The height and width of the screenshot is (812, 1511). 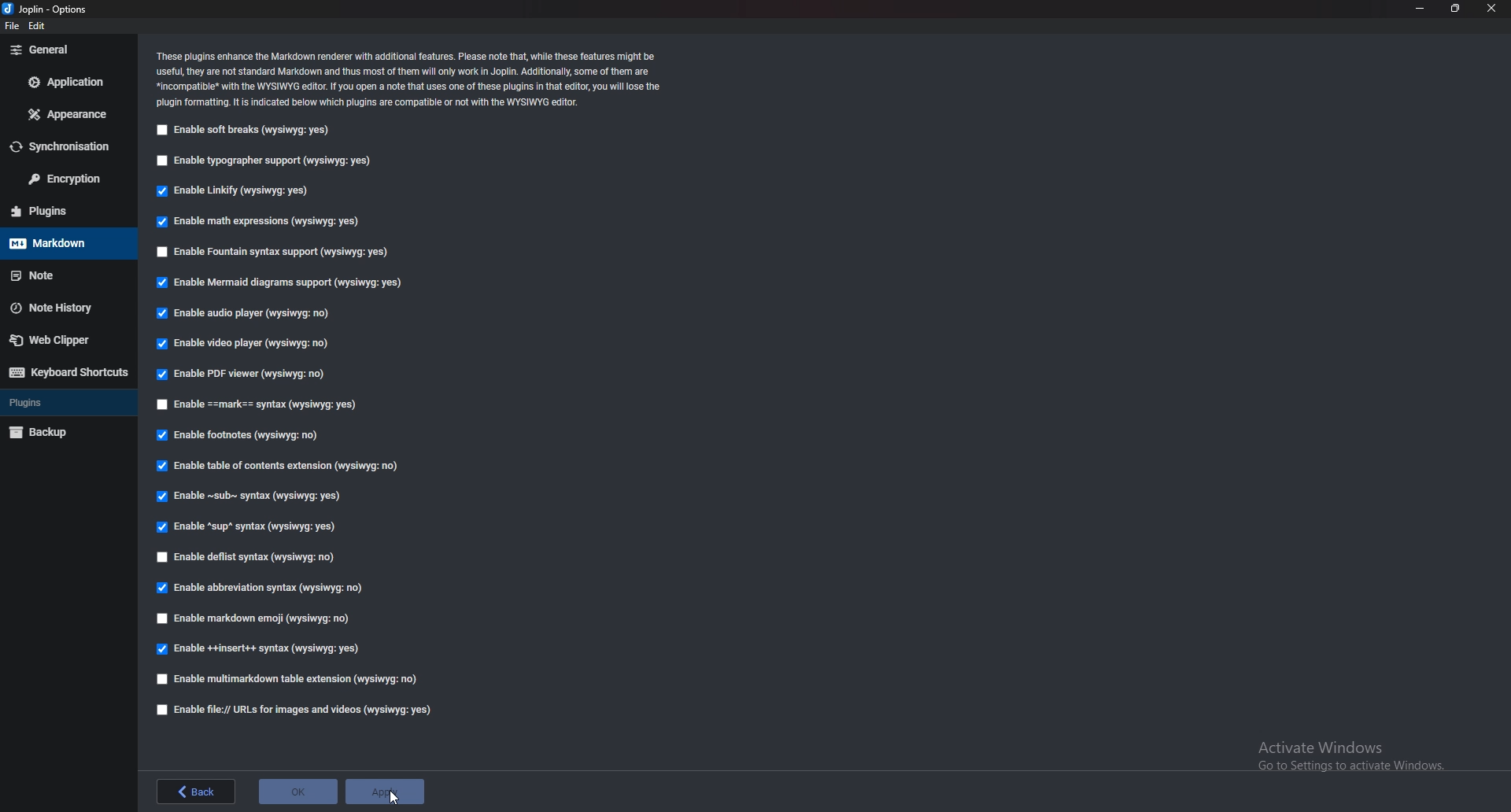 What do you see at coordinates (67, 341) in the screenshot?
I see `Web Clipper` at bounding box center [67, 341].